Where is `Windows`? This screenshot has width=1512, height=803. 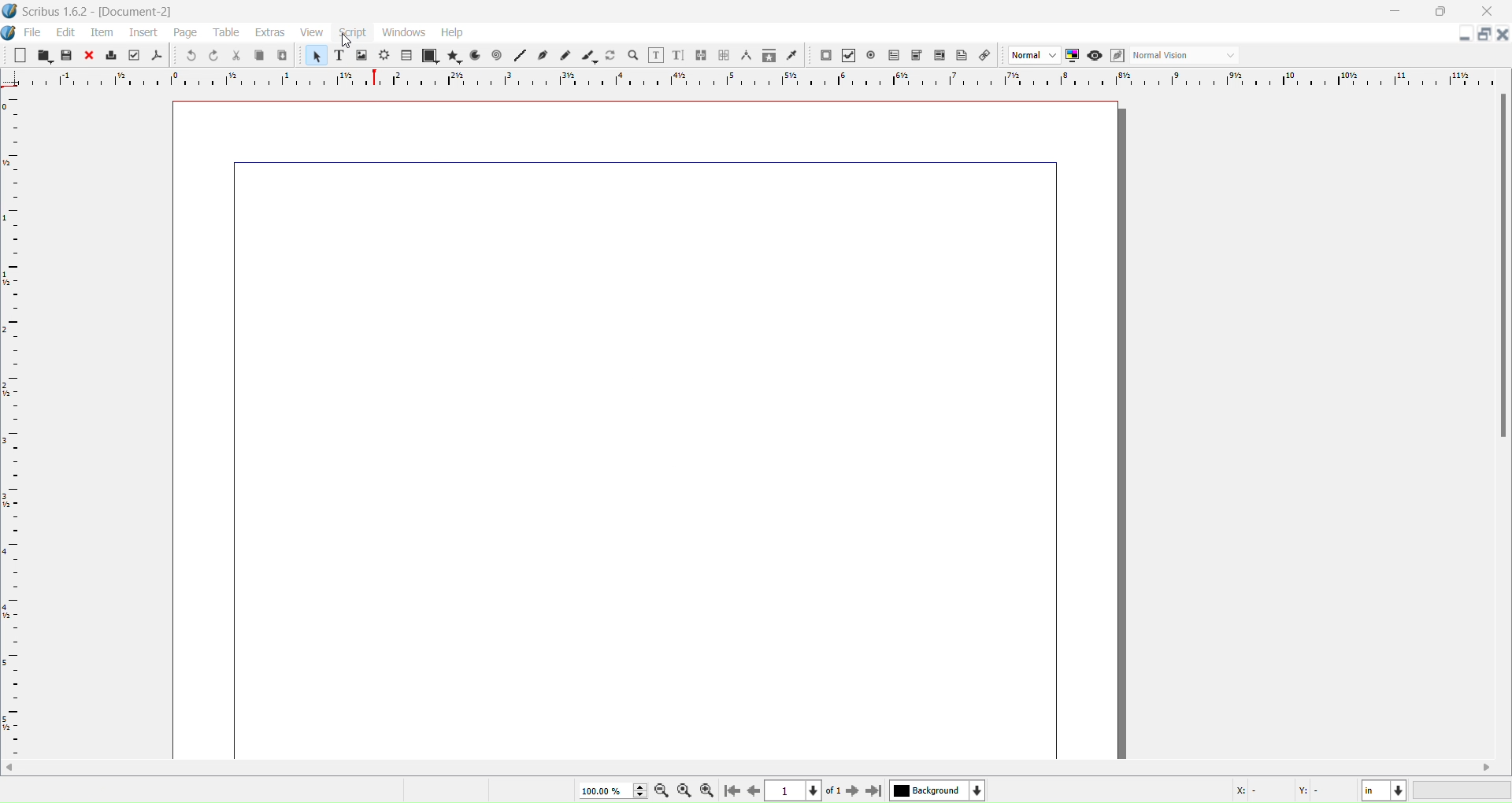 Windows is located at coordinates (402, 35).